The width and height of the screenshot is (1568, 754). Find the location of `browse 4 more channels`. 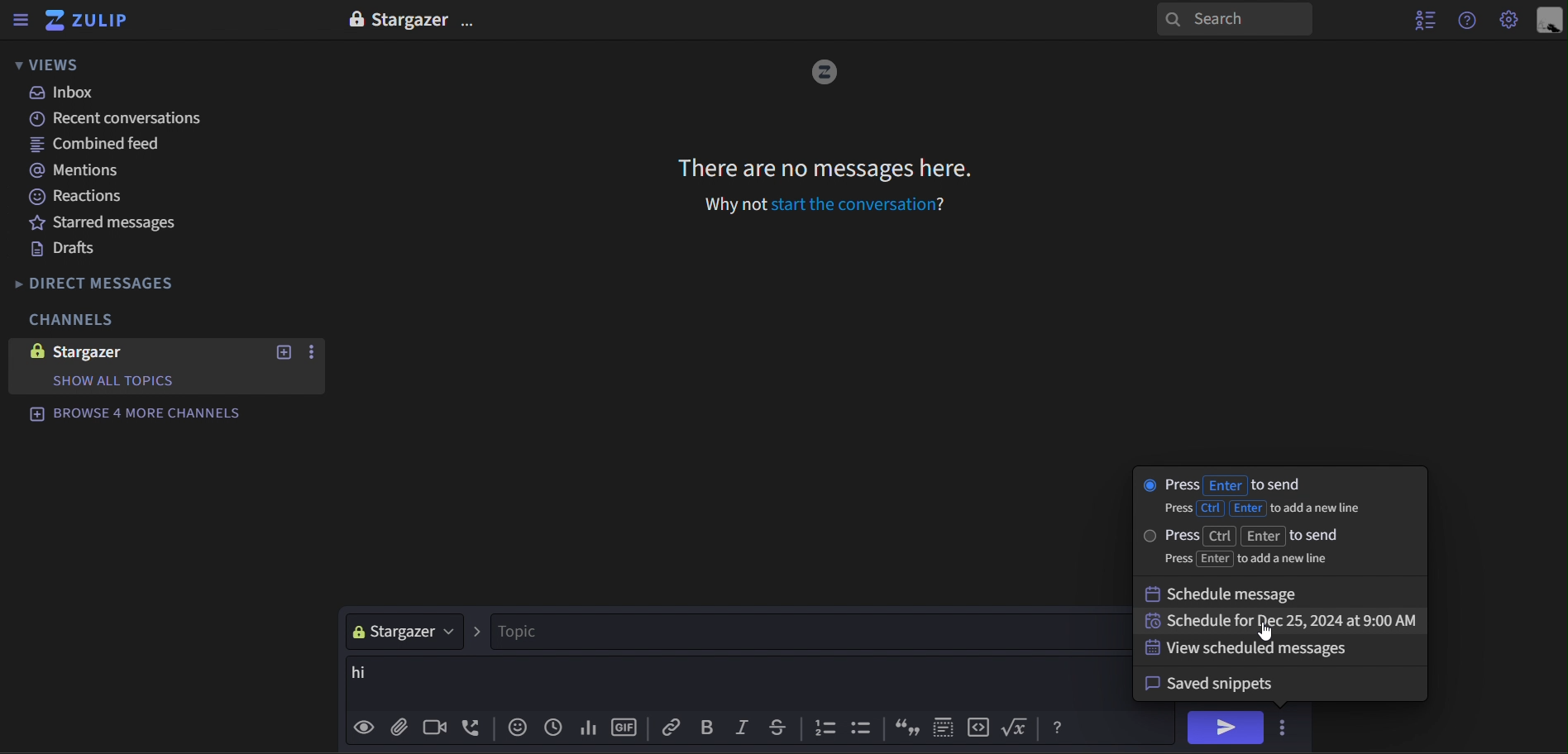

browse 4 more channels is located at coordinates (138, 414).